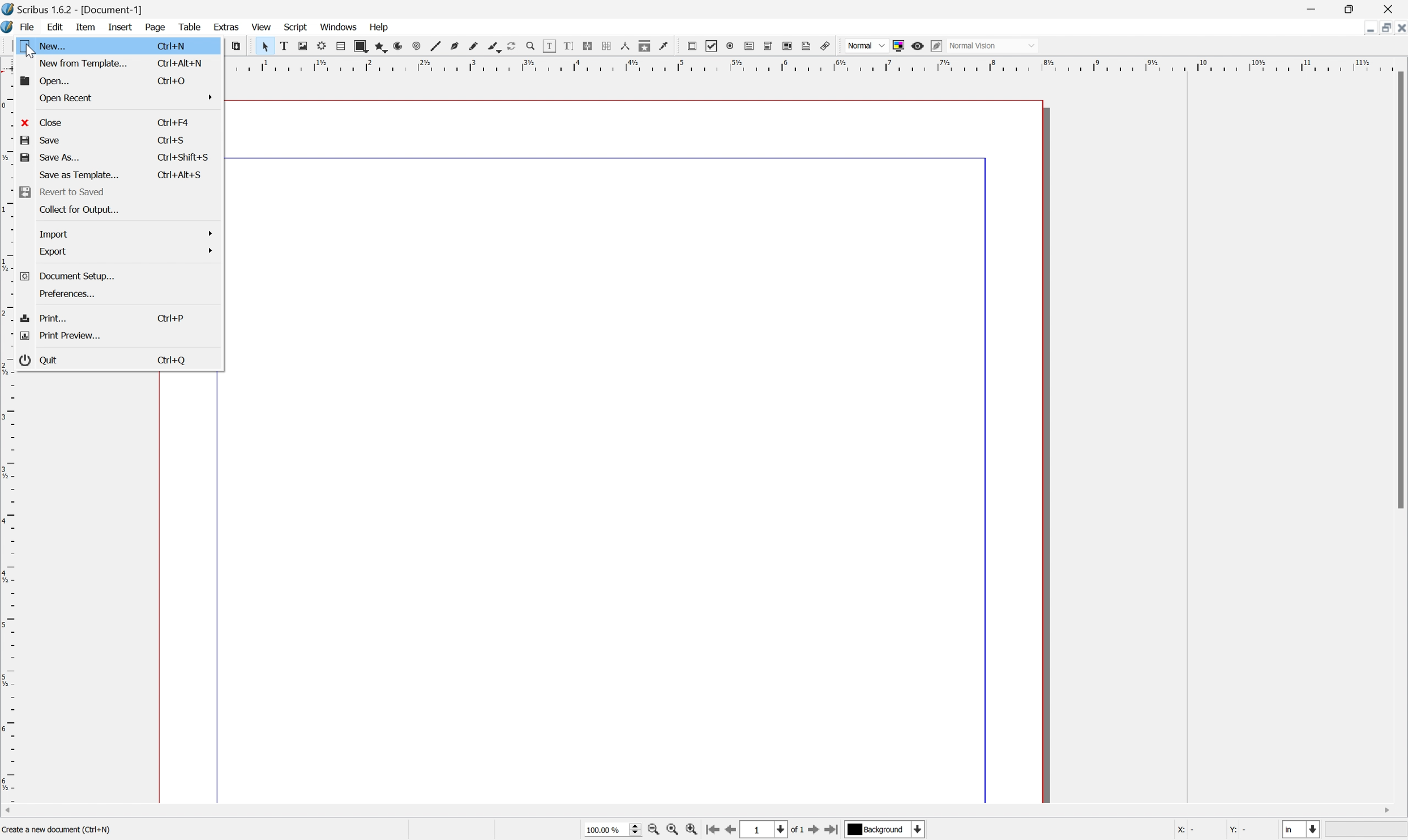  I want to click on Normal vision, so click(997, 46).